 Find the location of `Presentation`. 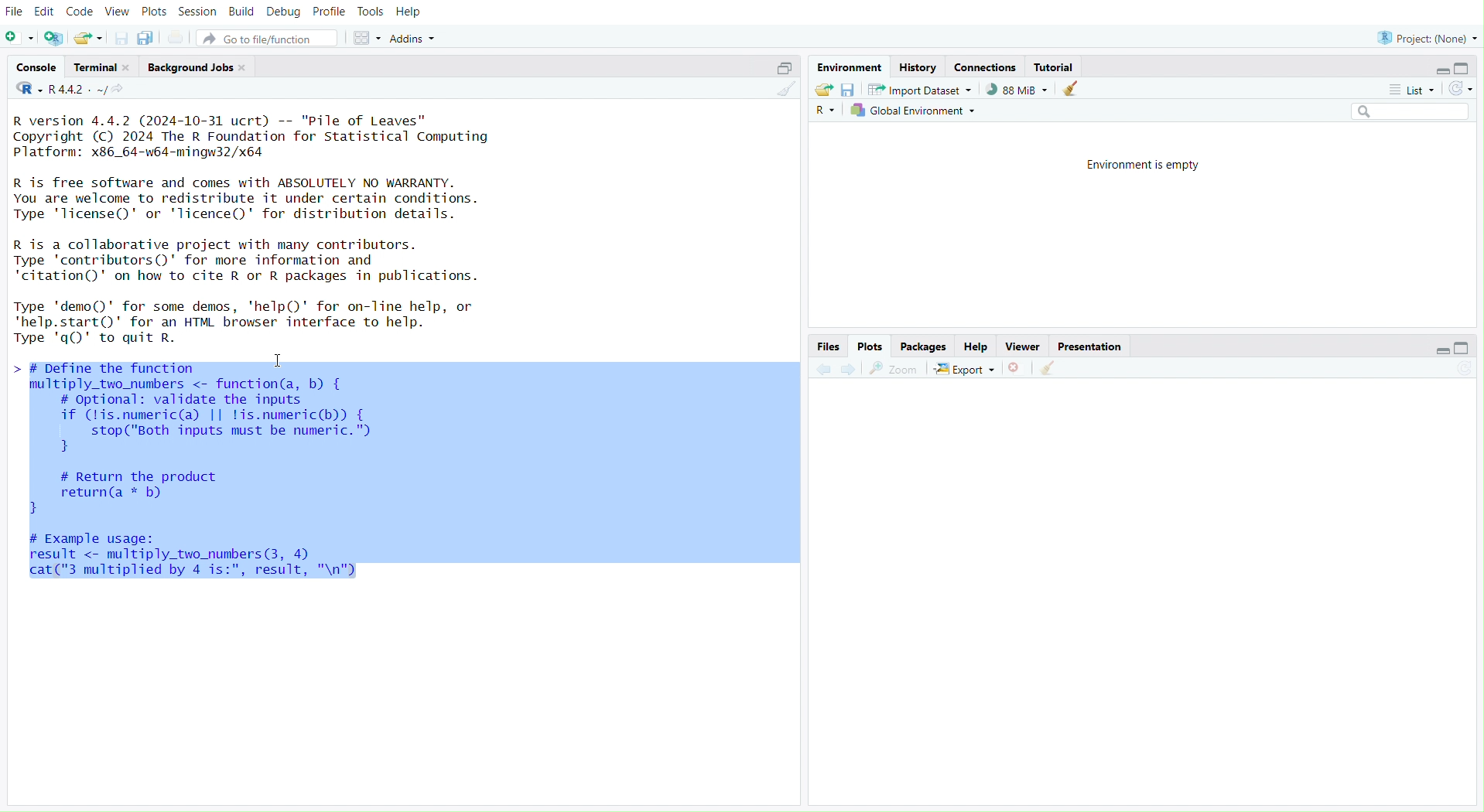

Presentation is located at coordinates (1090, 347).